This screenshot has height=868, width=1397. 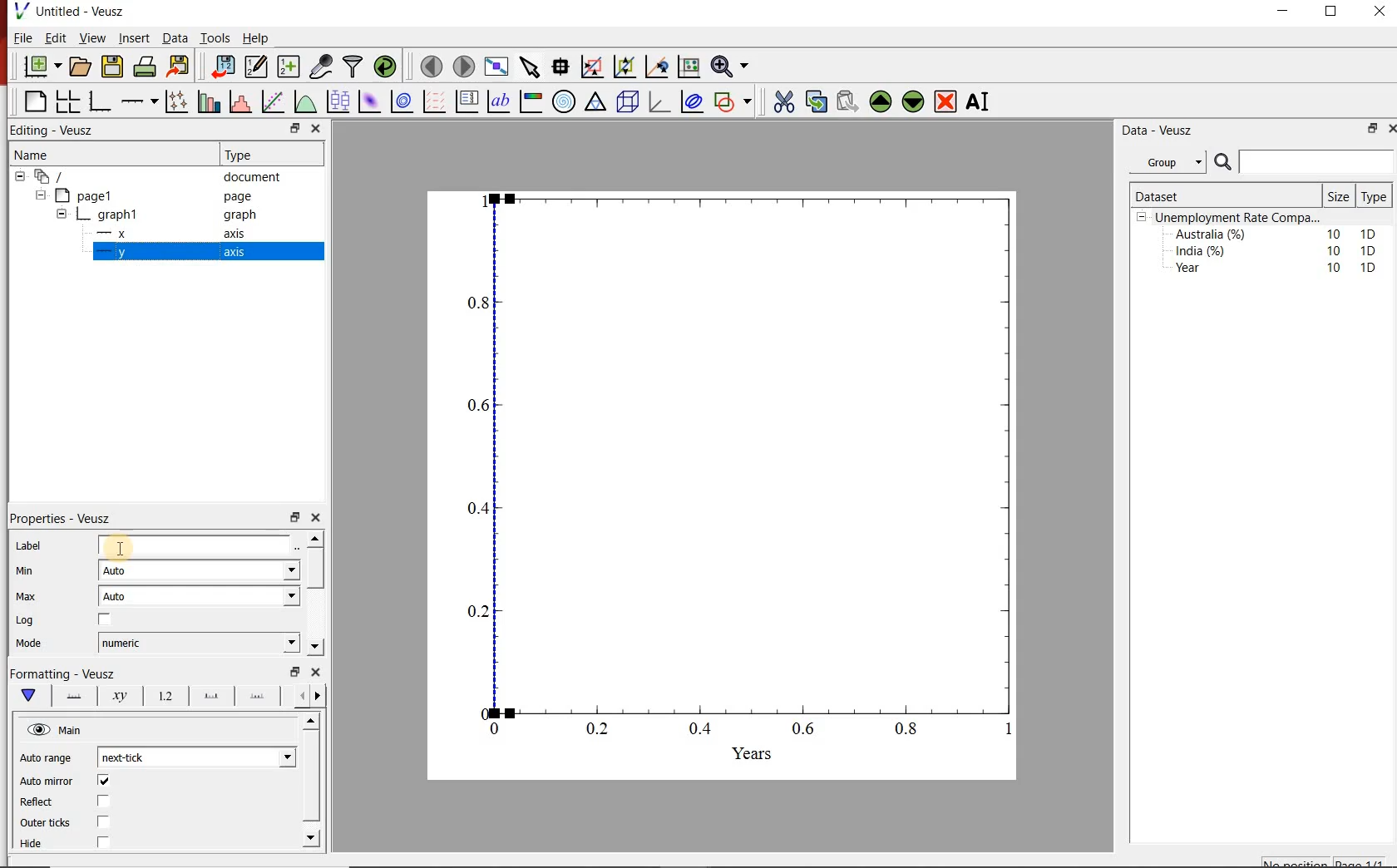 What do you see at coordinates (32, 843) in the screenshot?
I see `Hide` at bounding box center [32, 843].